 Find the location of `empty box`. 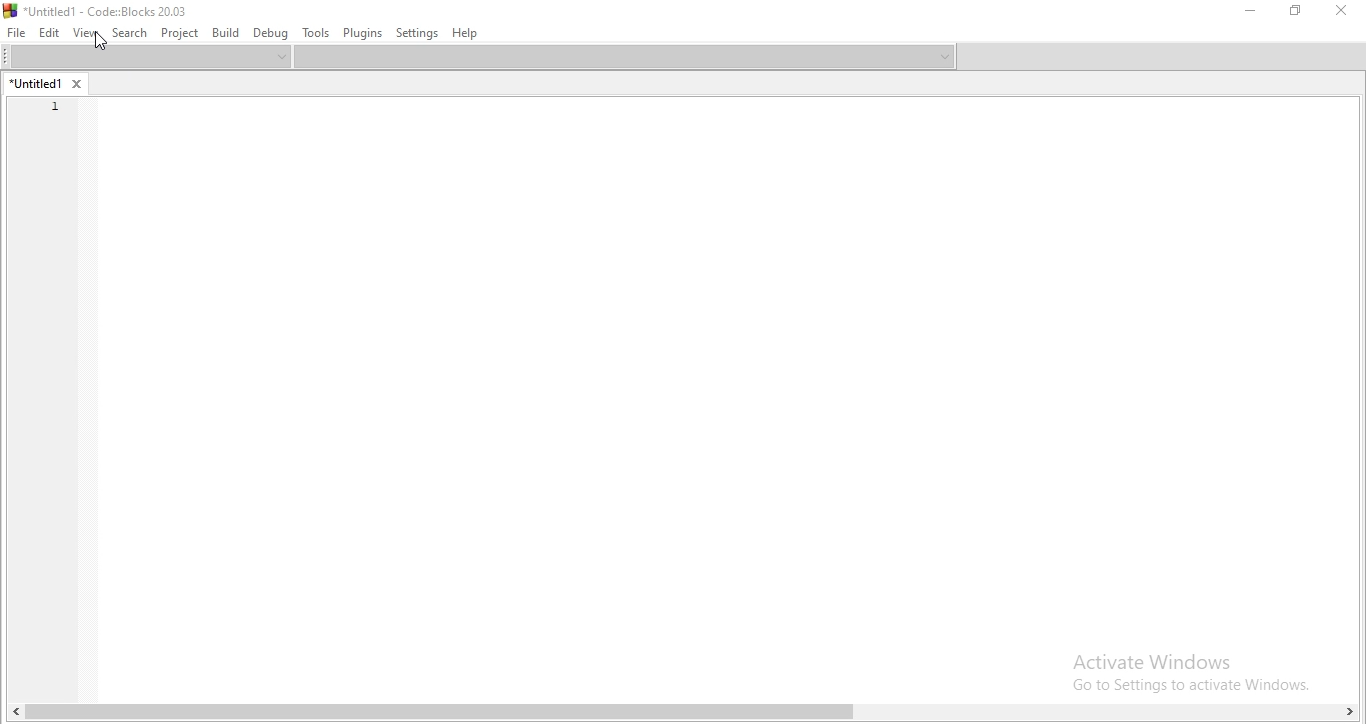

empty box is located at coordinates (145, 57).